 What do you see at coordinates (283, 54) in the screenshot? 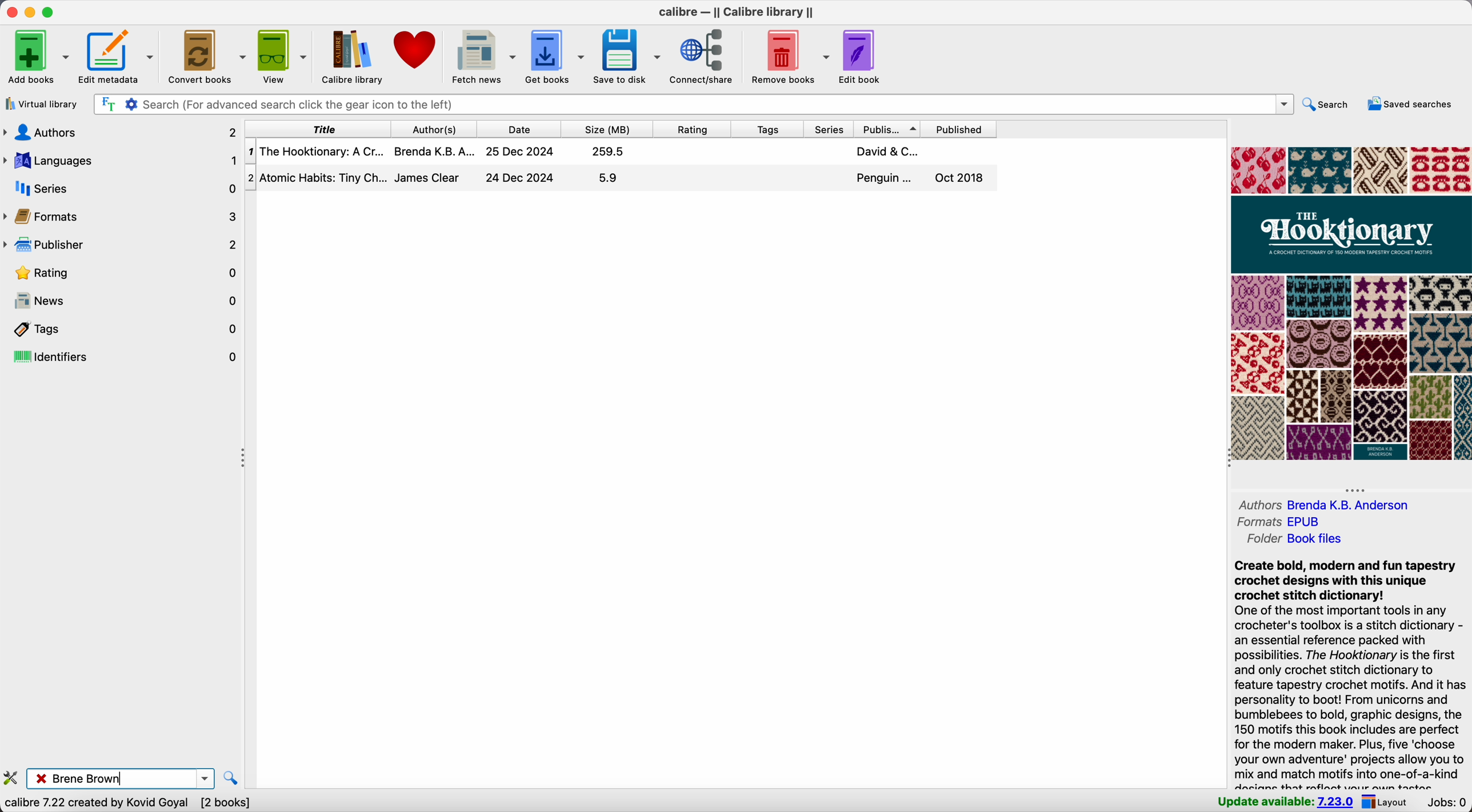
I see `view` at bounding box center [283, 54].